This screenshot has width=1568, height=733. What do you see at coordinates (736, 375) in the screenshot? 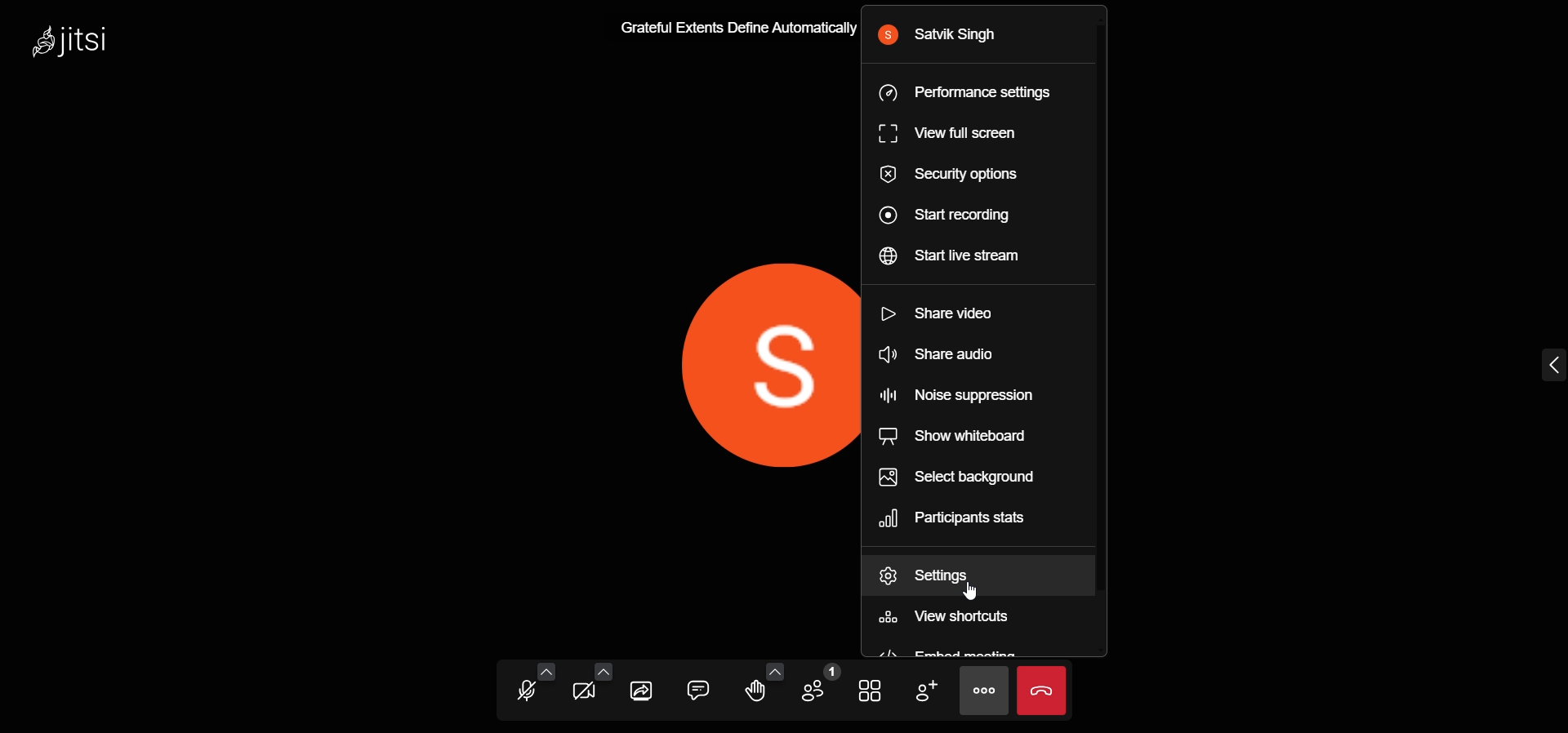
I see `display picture` at bounding box center [736, 375].